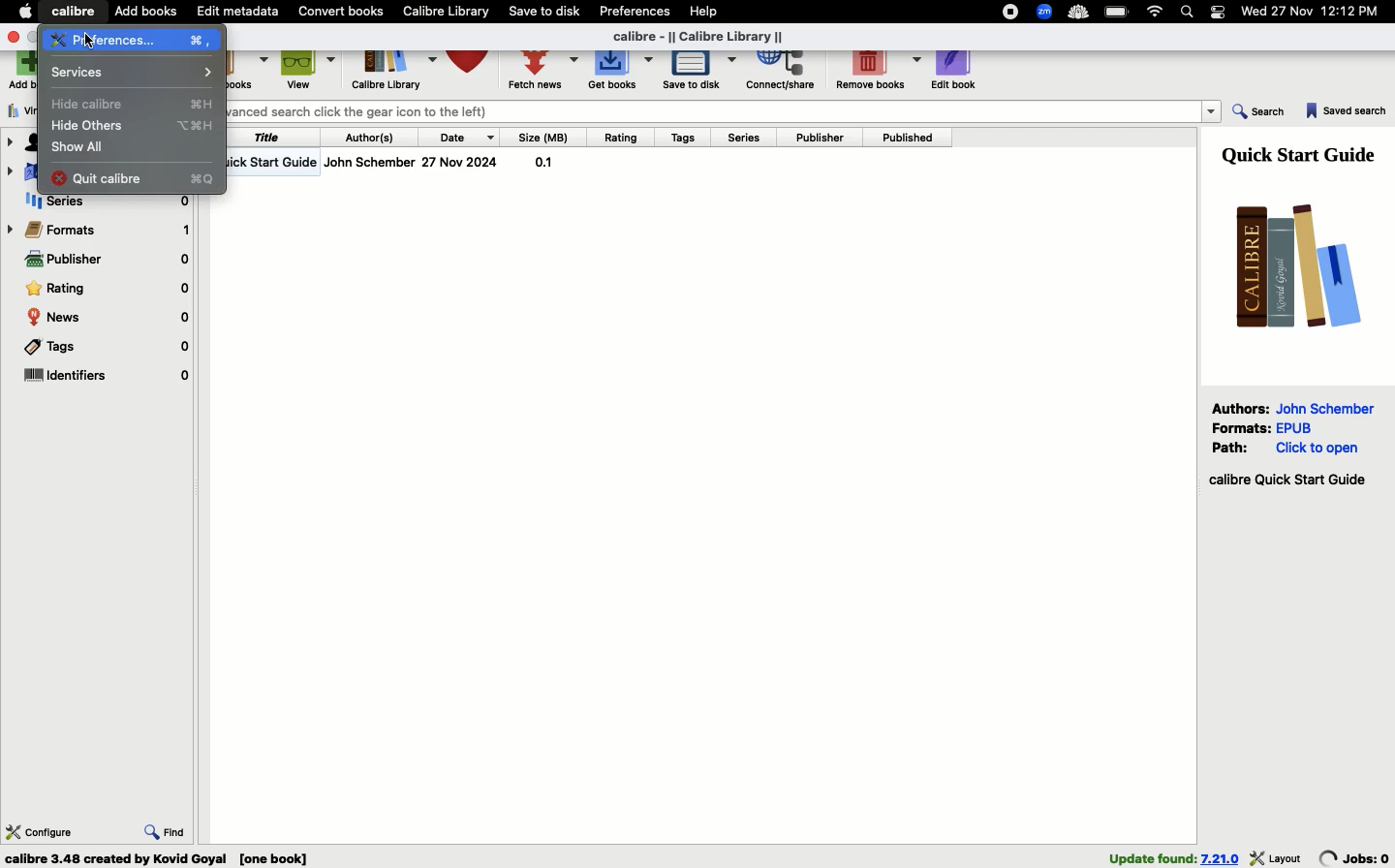  Describe the element at coordinates (166, 829) in the screenshot. I see `Find` at that location.